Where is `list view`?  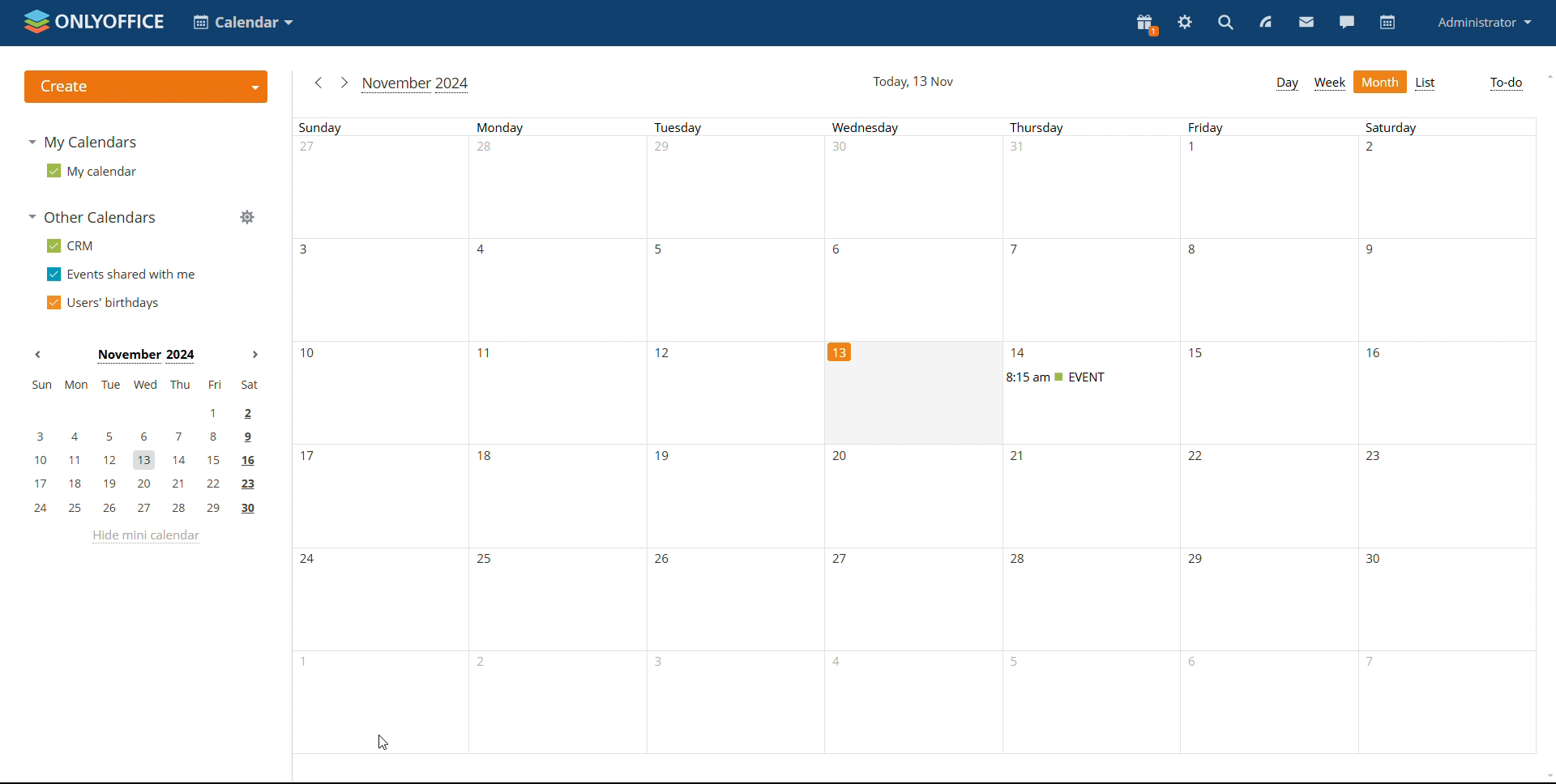 list view is located at coordinates (1426, 83).